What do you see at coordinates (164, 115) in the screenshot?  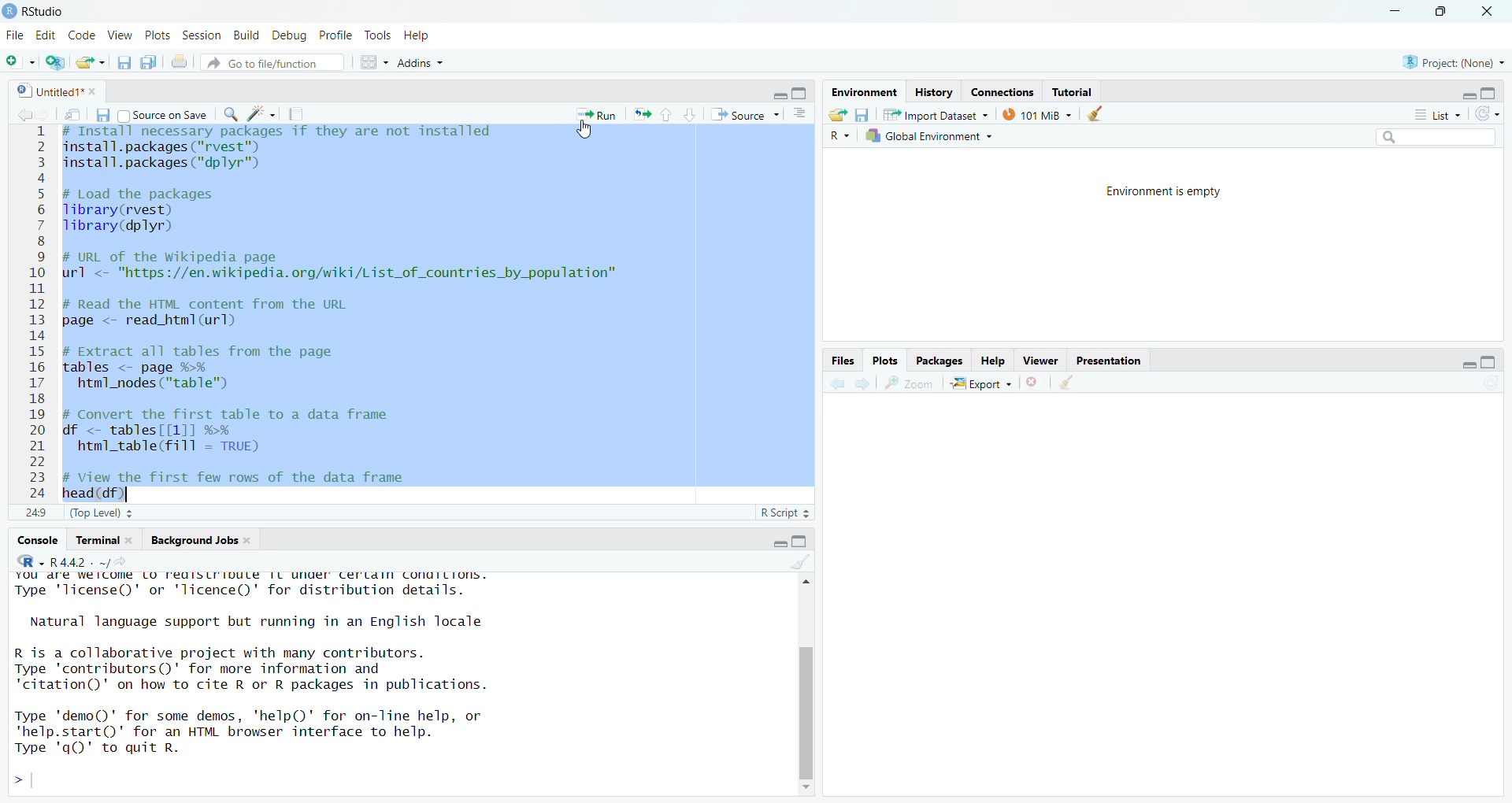 I see `Source on save` at bounding box center [164, 115].